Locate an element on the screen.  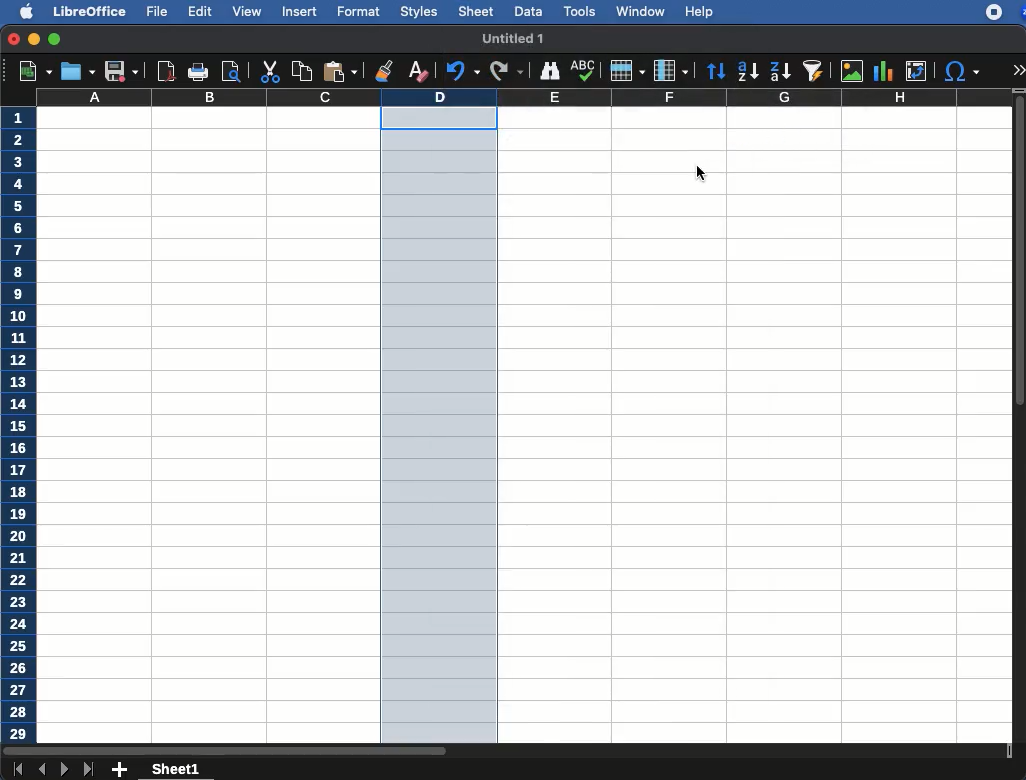
clone formatting is located at coordinates (383, 70).